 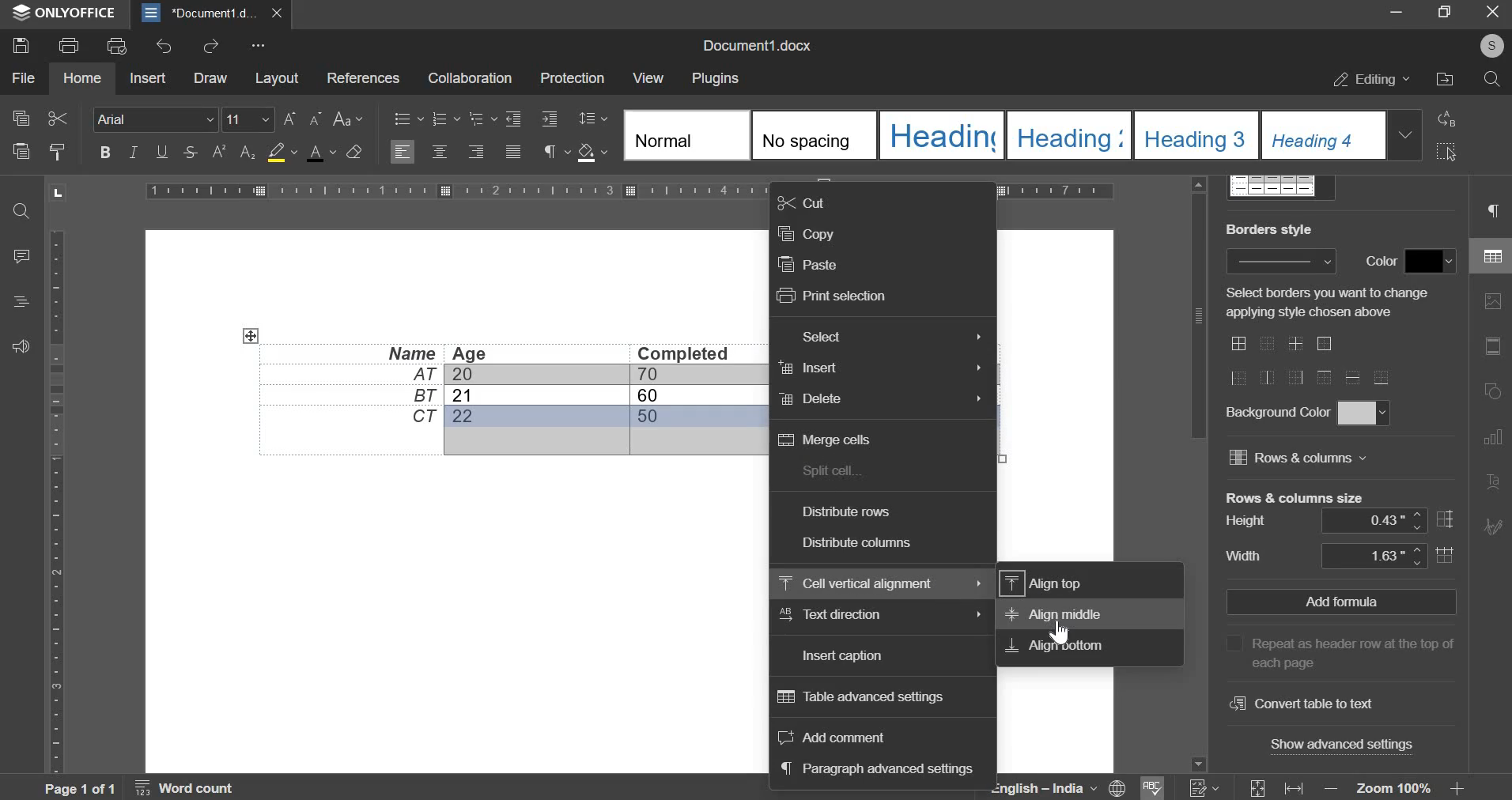 I want to click on copy style, so click(x=59, y=150).